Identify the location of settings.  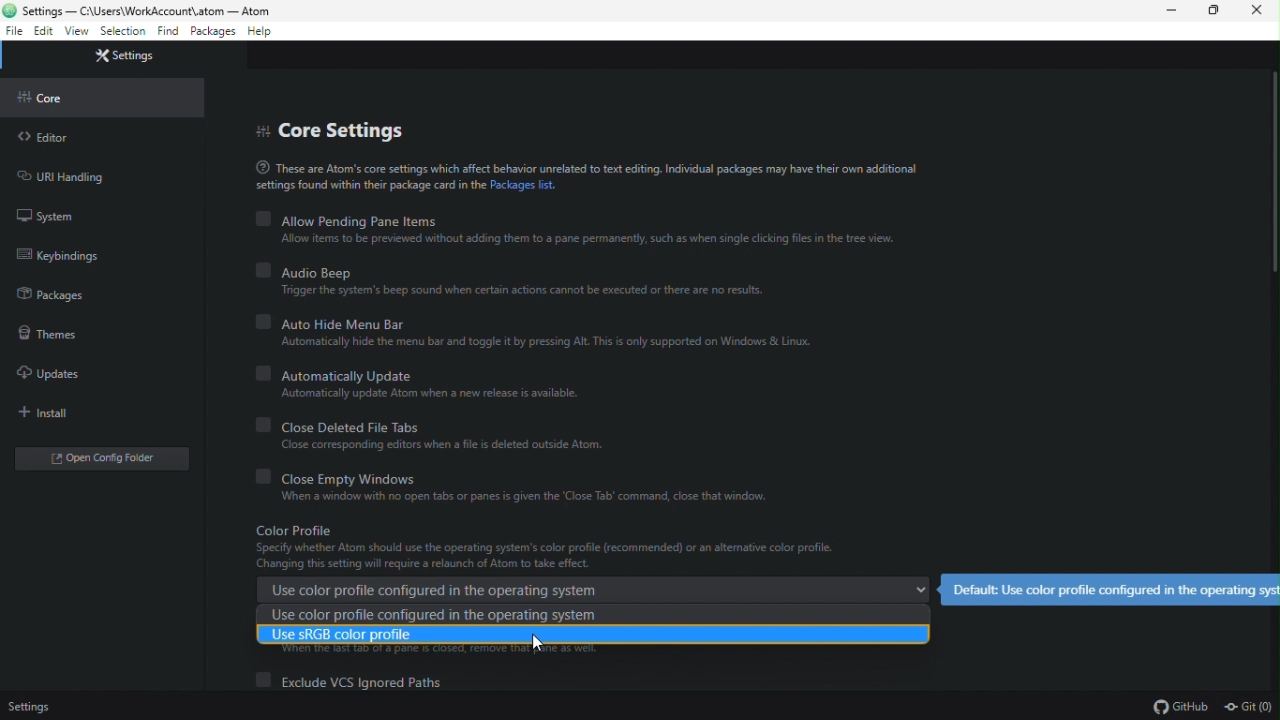
(131, 58).